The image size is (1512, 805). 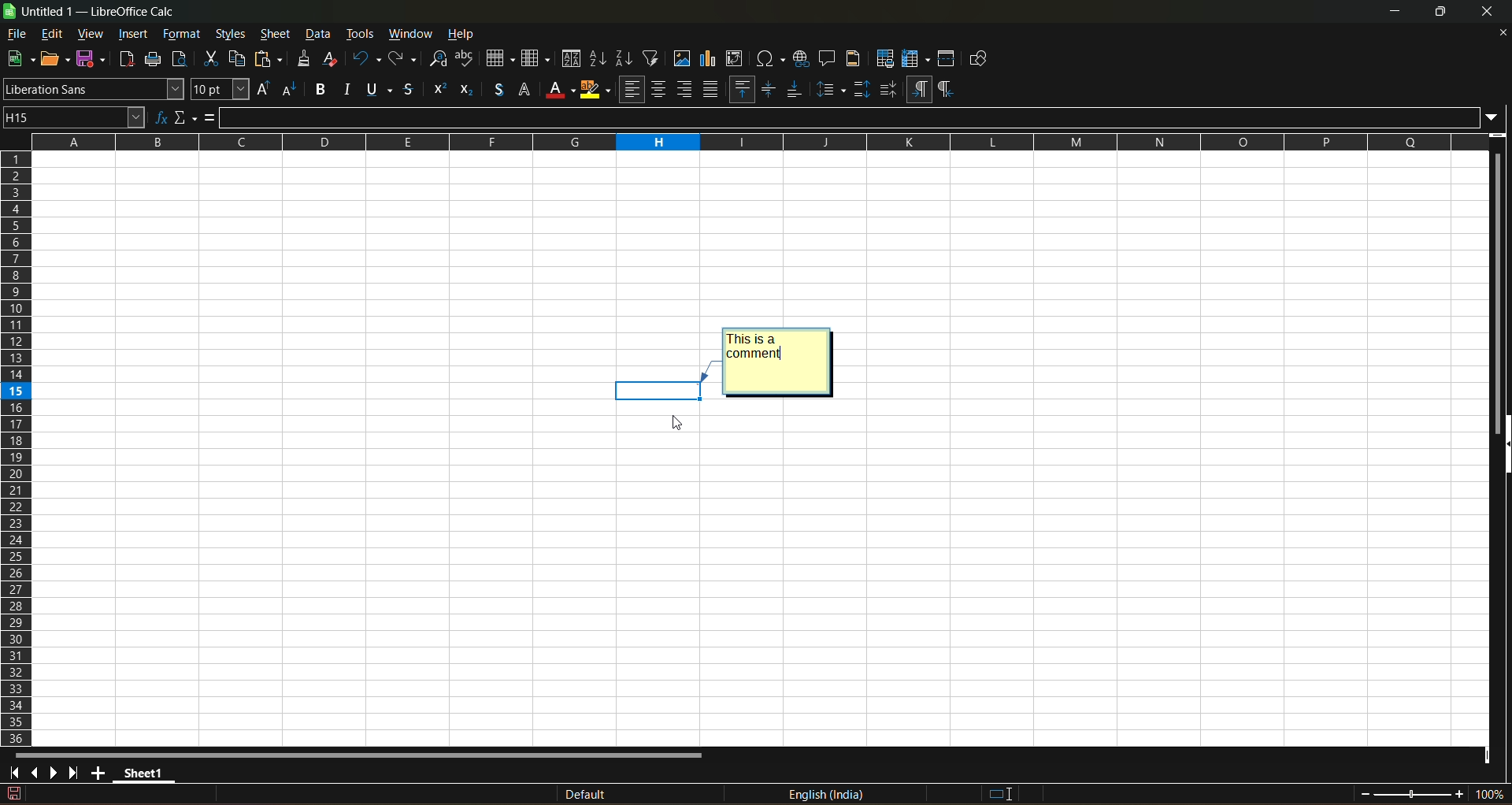 What do you see at coordinates (94, 89) in the screenshot?
I see `font name` at bounding box center [94, 89].